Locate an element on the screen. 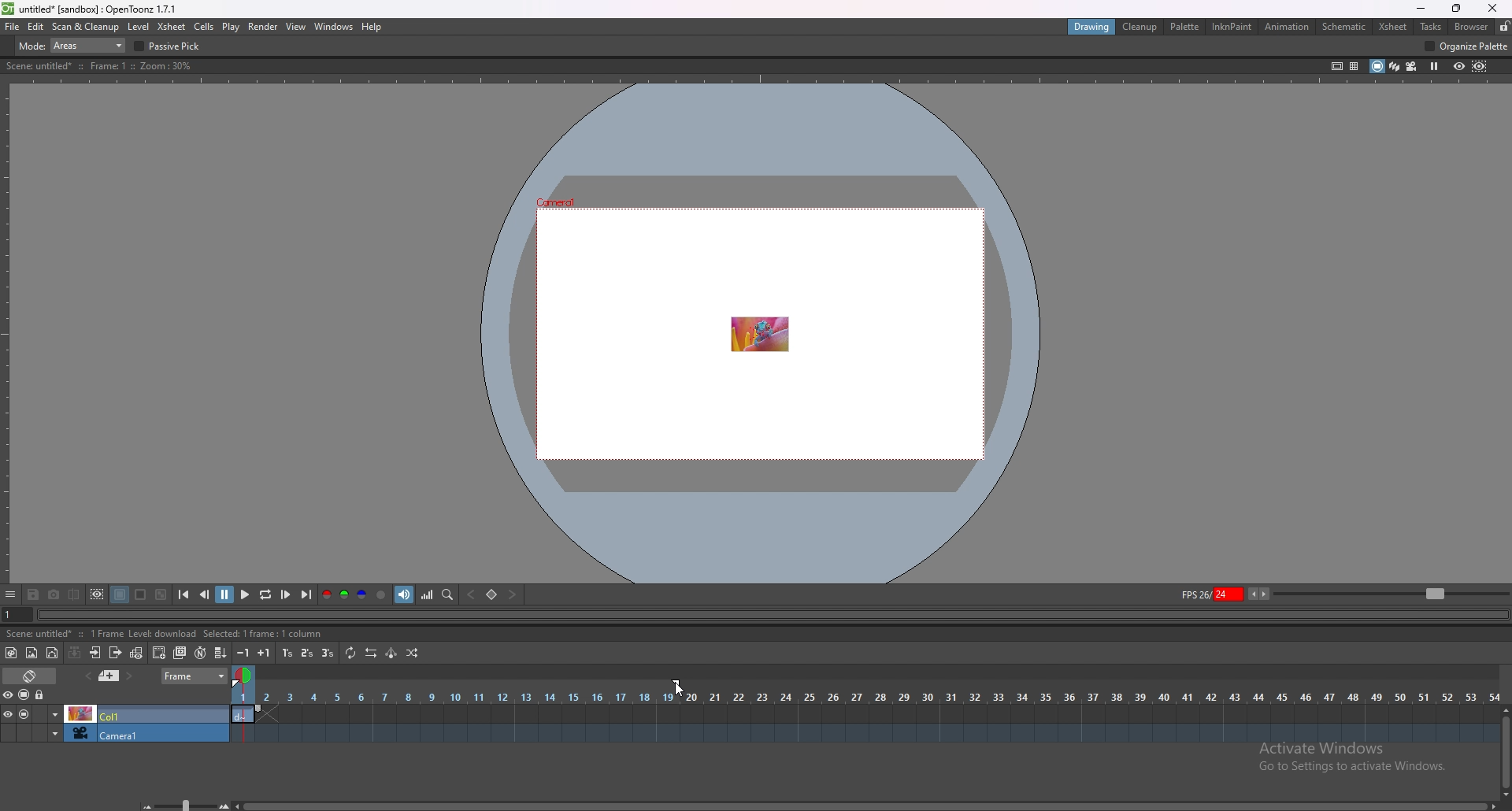 This screenshot has height=811, width=1512. cursor is located at coordinates (677, 687).